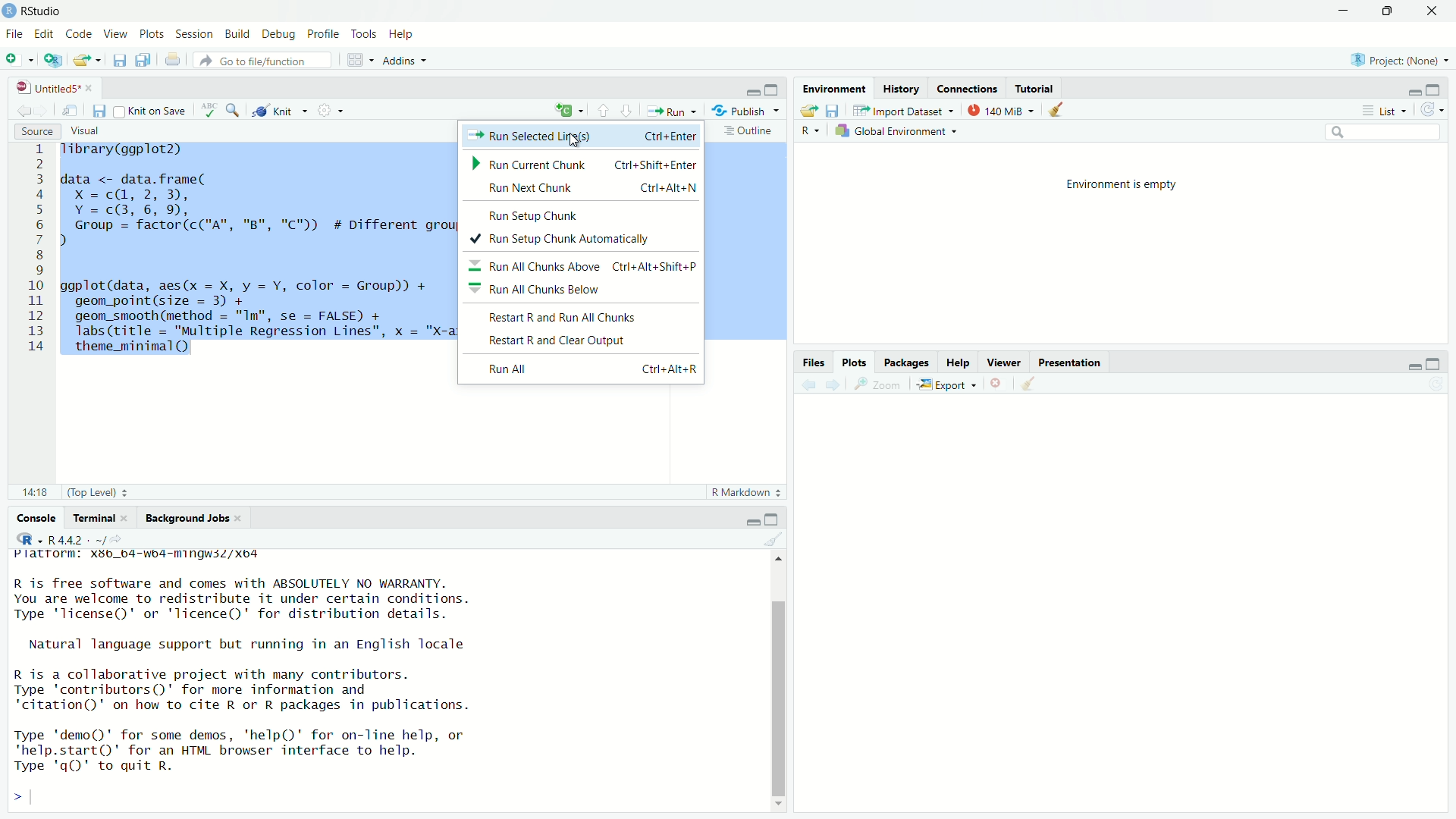 Image resolution: width=1456 pixels, height=819 pixels. What do you see at coordinates (835, 89) in the screenshot?
I see `Environment` at bounding box center [835, 89].